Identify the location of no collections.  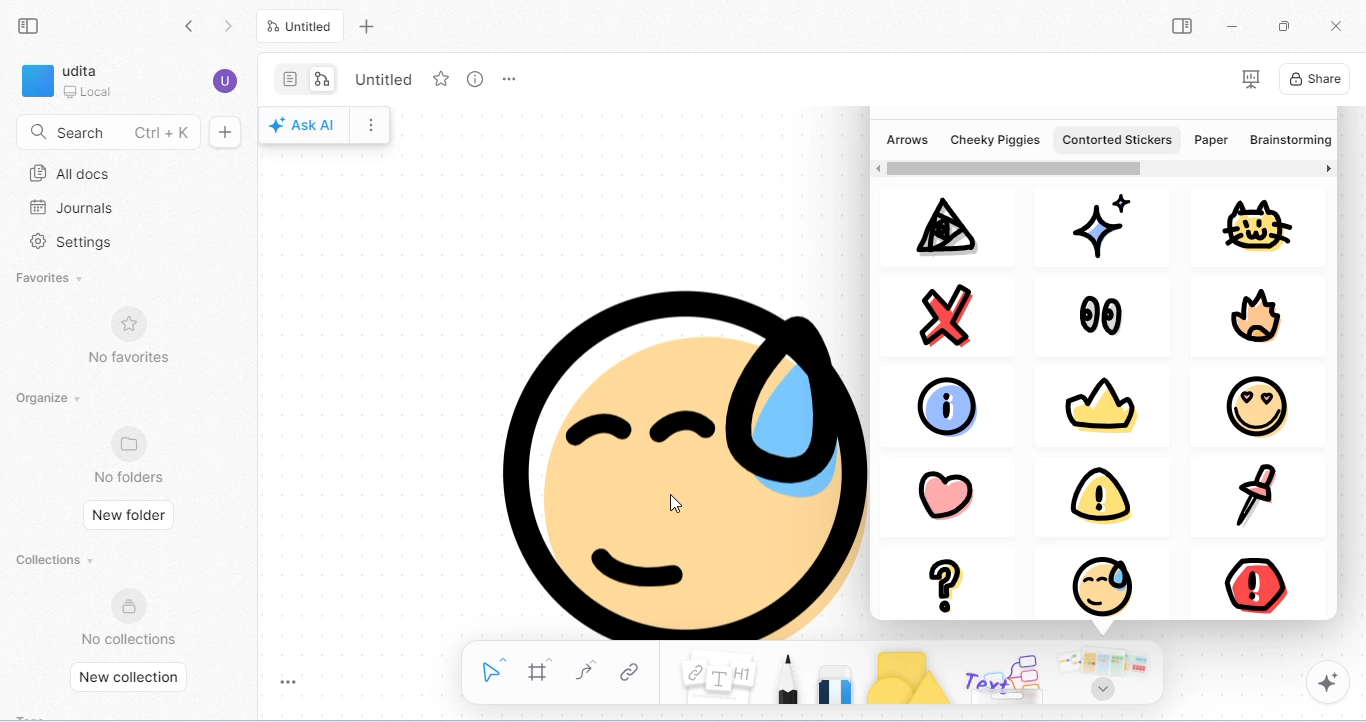
(129, 616).